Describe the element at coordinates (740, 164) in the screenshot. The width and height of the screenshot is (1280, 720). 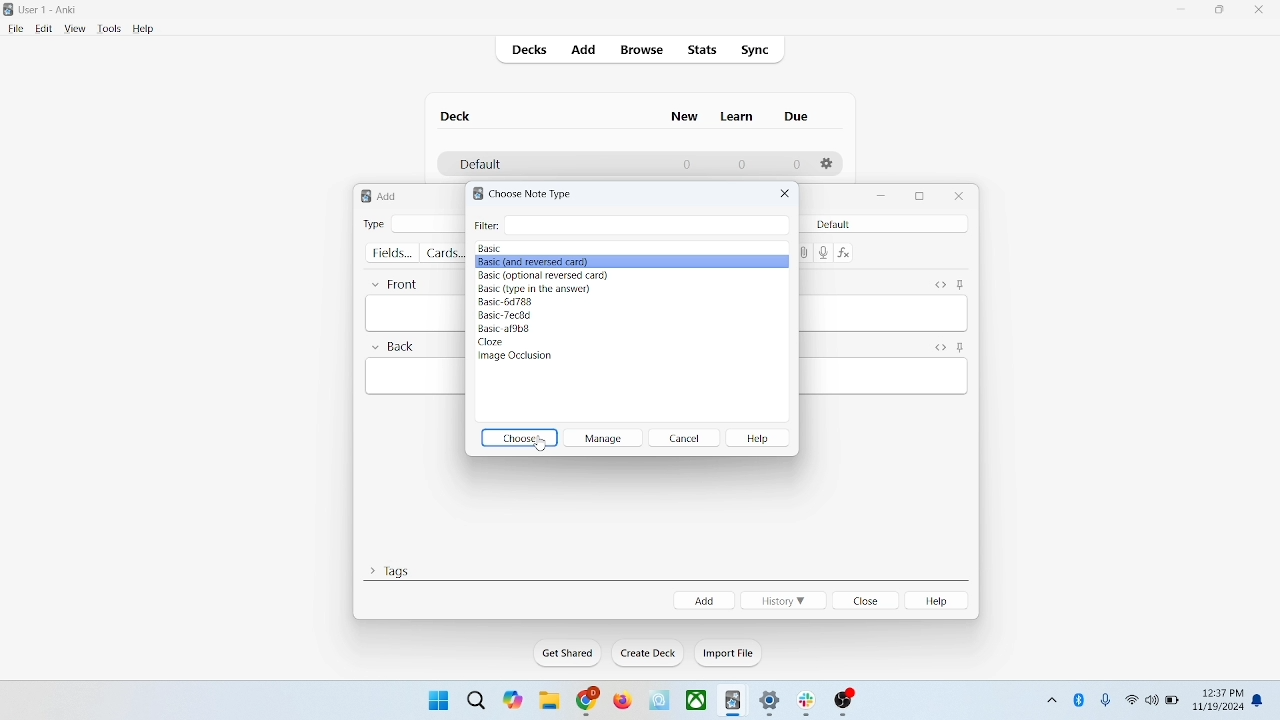
I see `0` at that location.